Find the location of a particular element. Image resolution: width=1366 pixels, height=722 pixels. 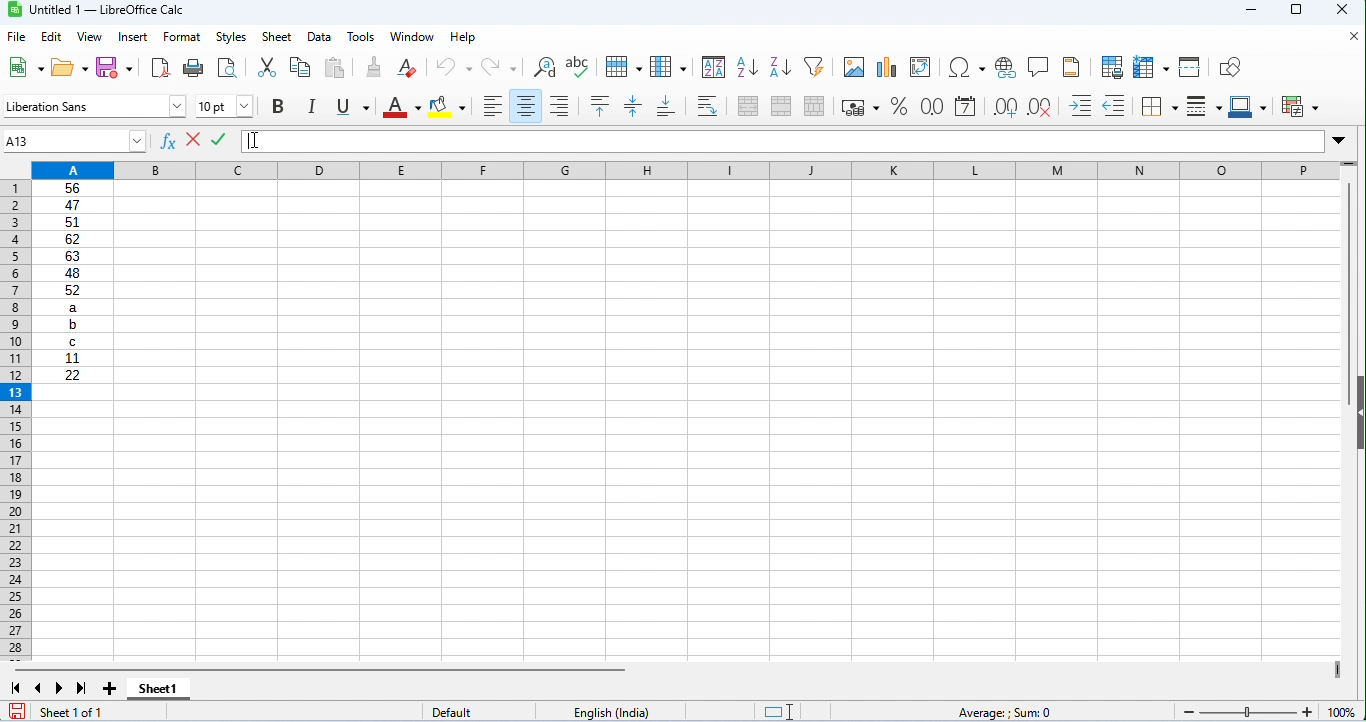

Collapse/Expand is located at coordinates (1360, 413).